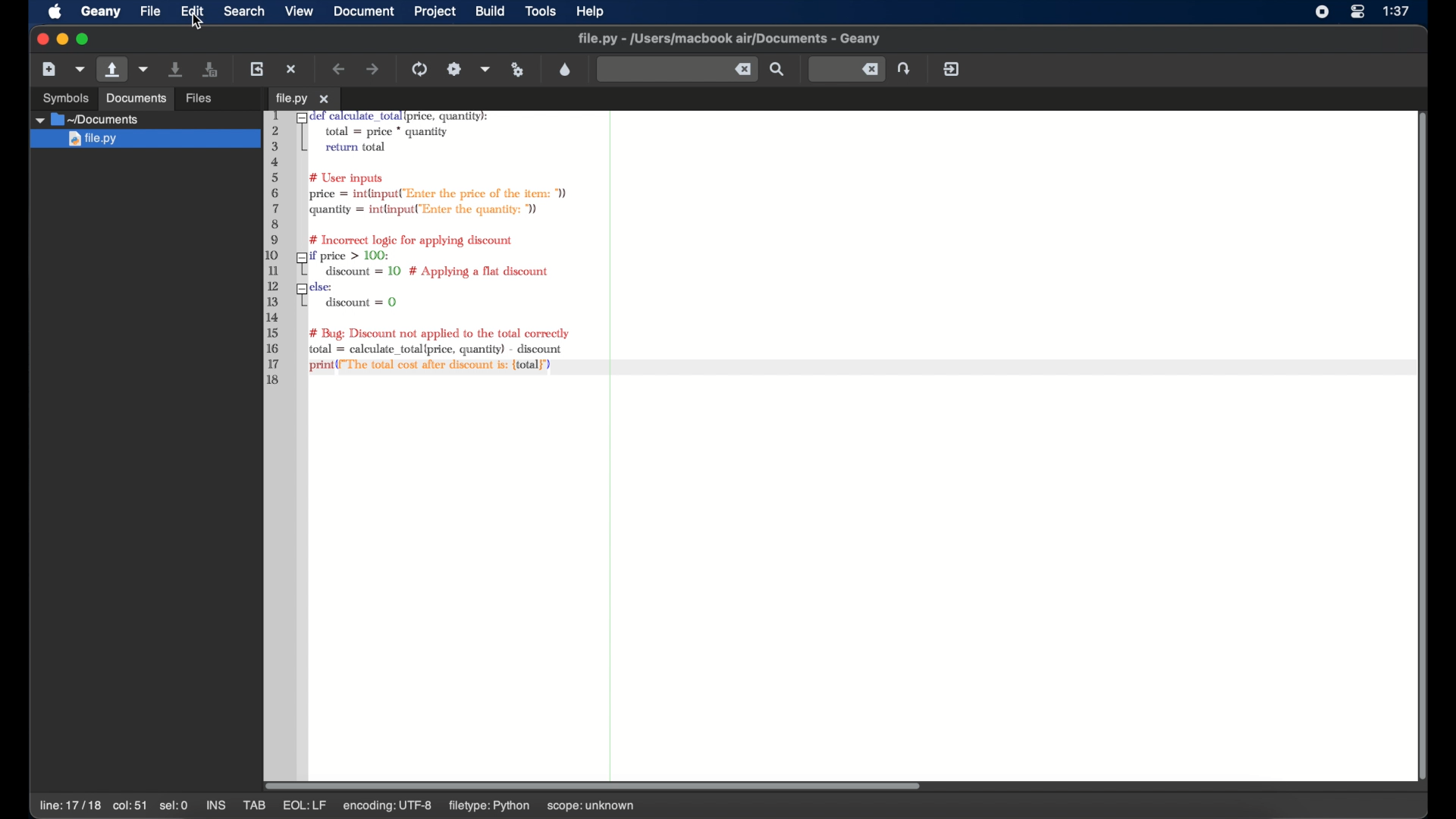  Describe the element at coordinates (591, 11) in the screenshot. I see `help` at that location.